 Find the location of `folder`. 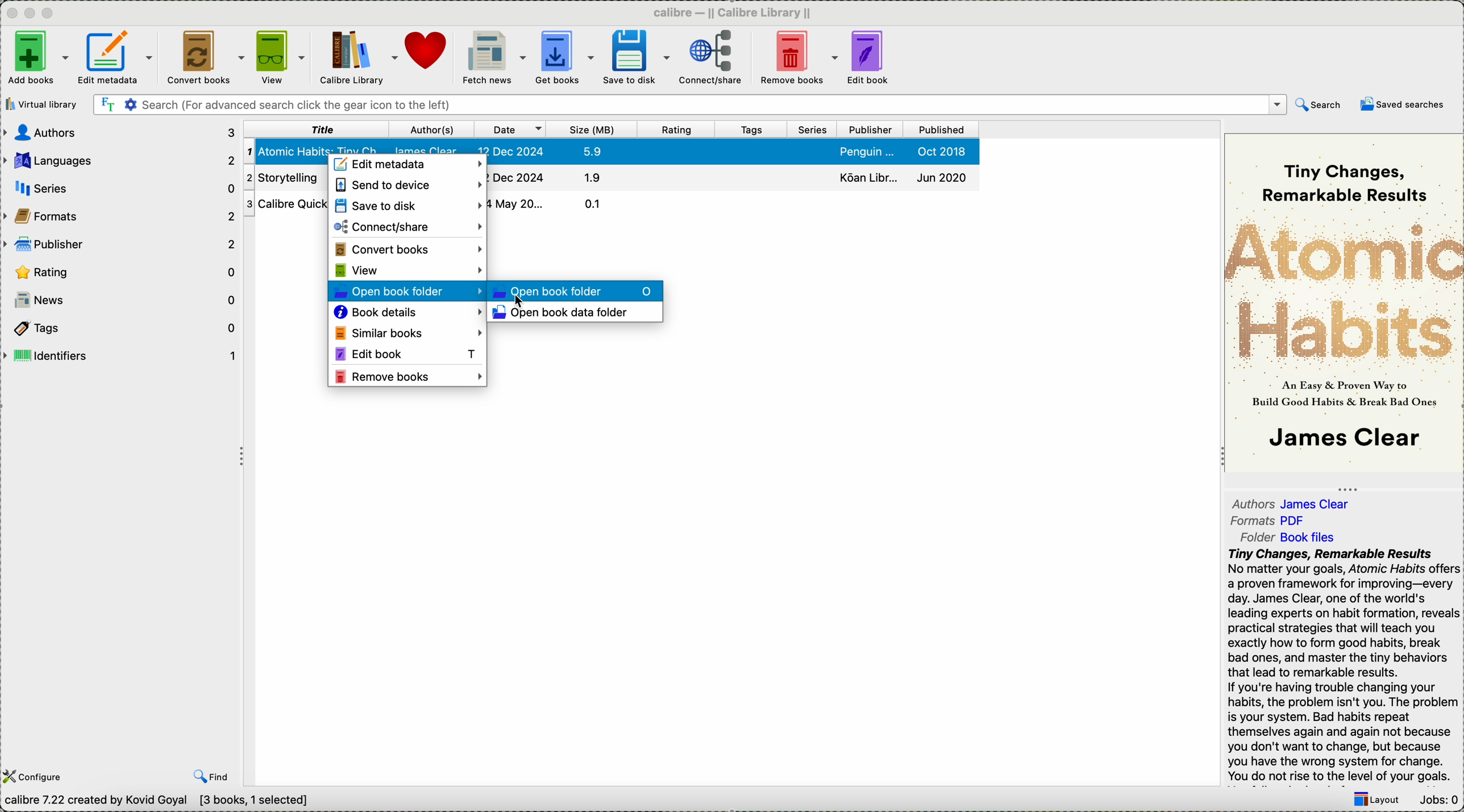

folder is located at coordinates (1295, 536).